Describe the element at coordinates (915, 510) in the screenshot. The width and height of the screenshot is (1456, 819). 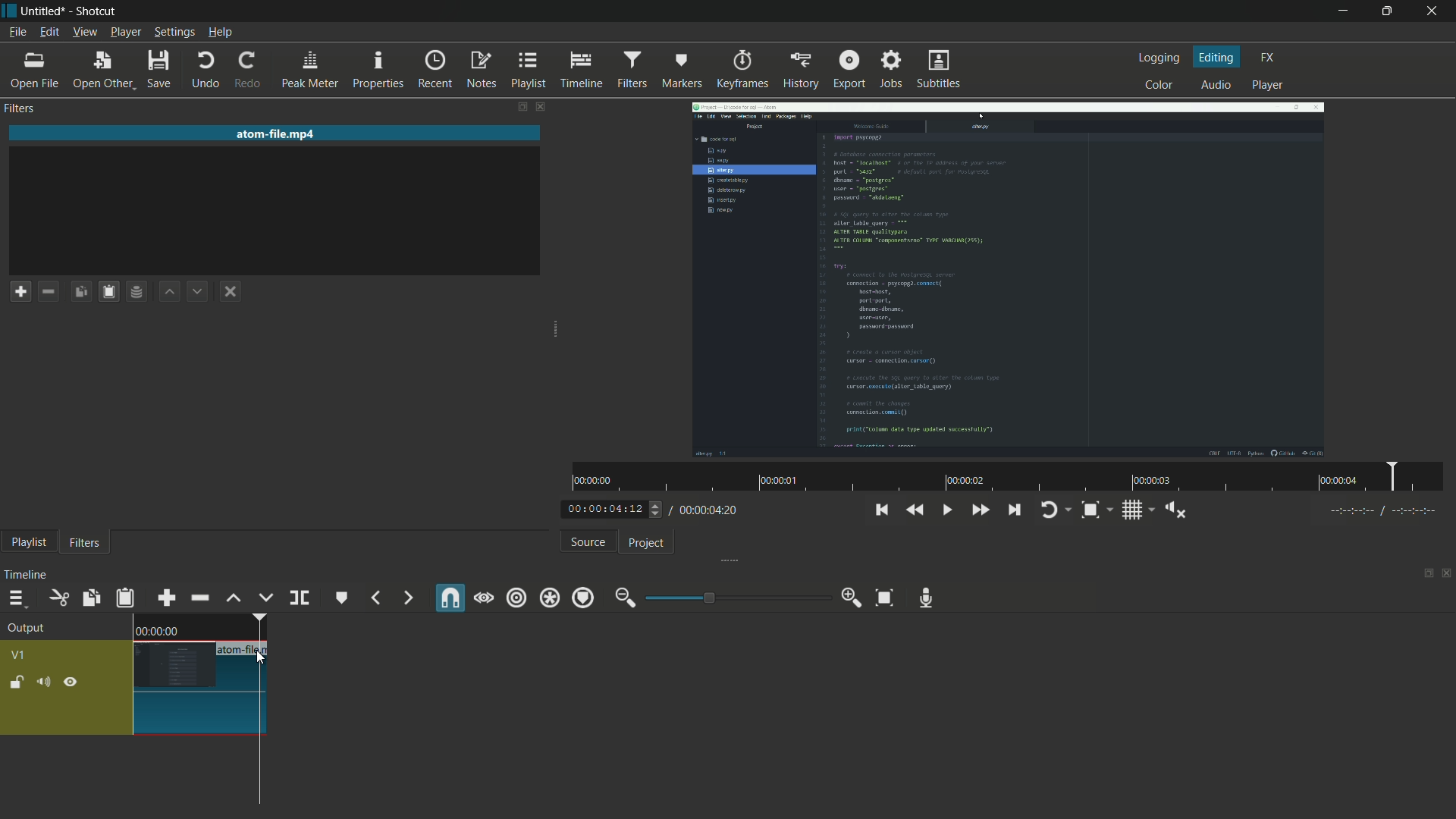
I see `quickly play backward` at that location.